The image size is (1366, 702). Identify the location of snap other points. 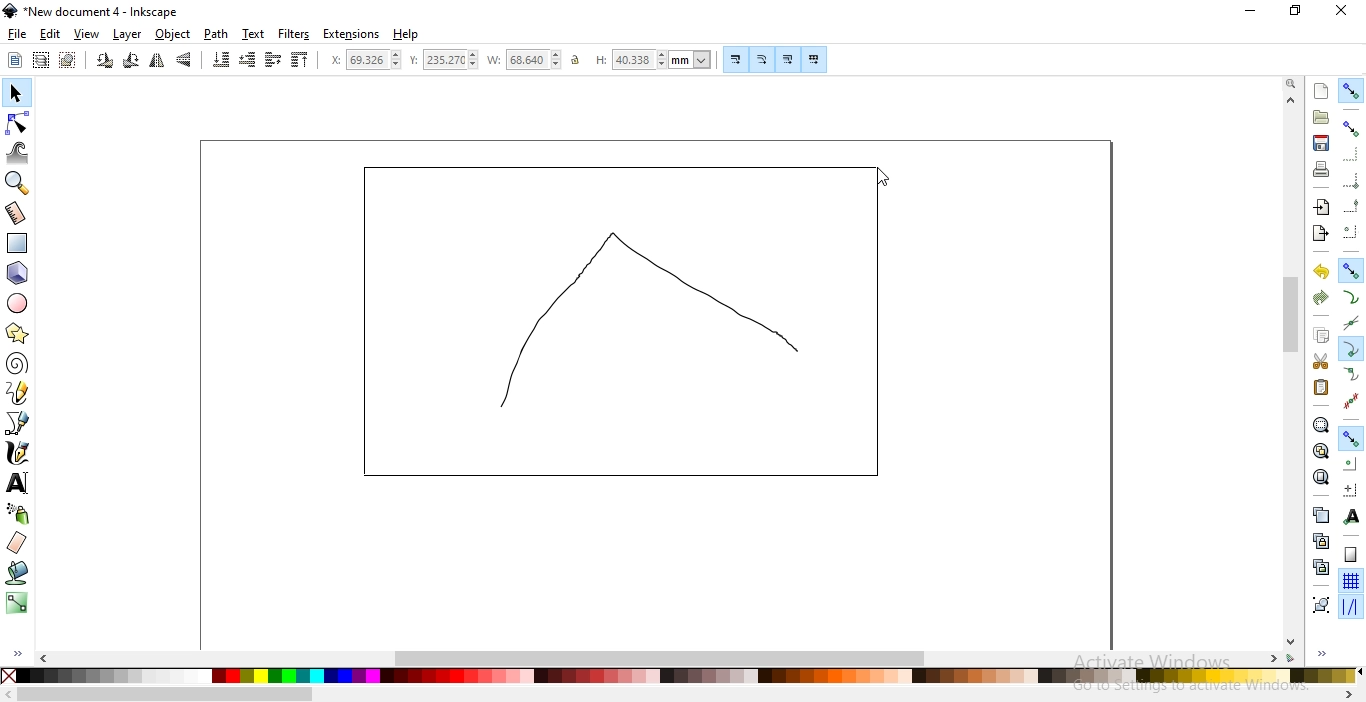
(1351, 437).